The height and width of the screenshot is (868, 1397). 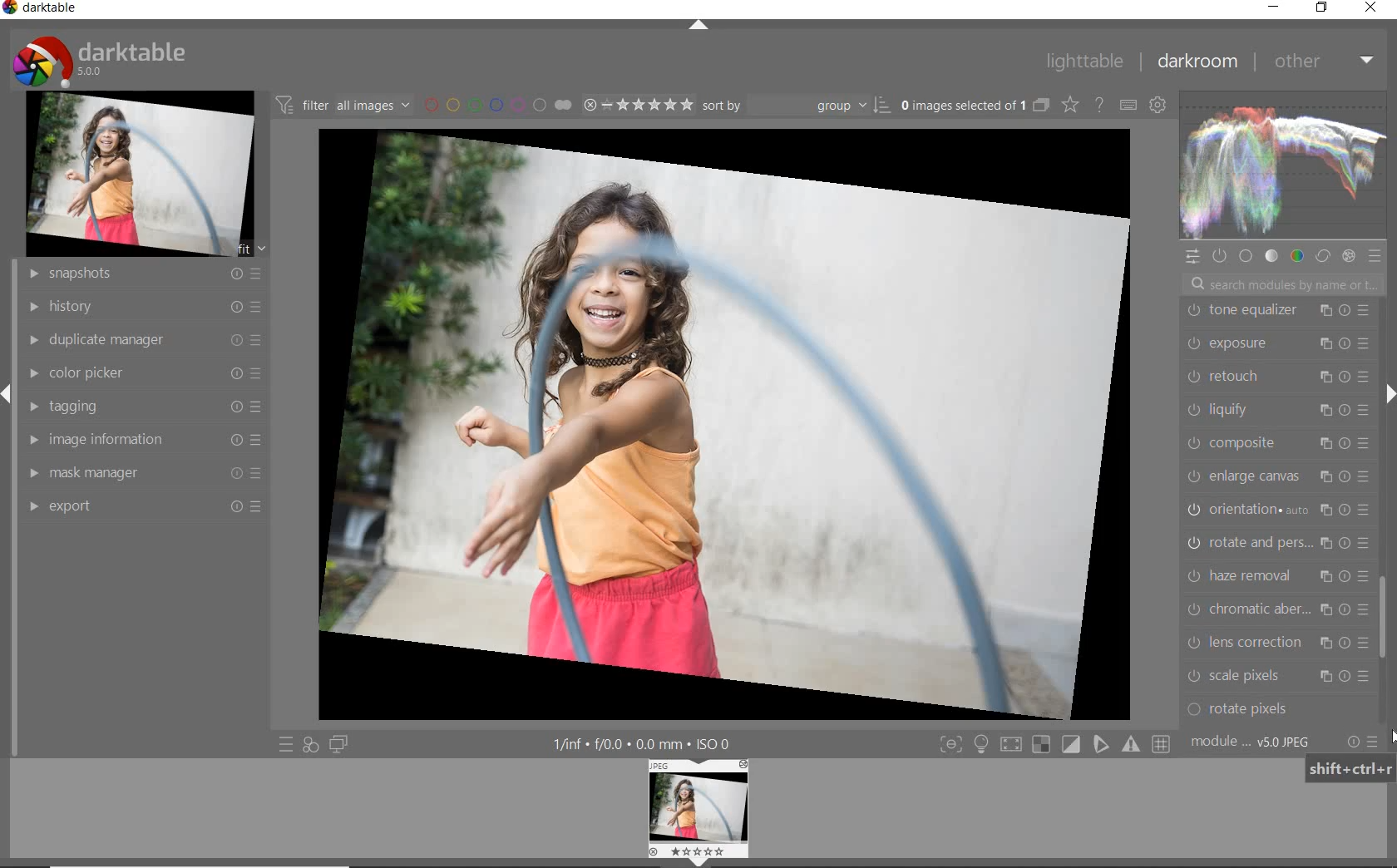 I want to click on change type of overlay, so click(x=1072, y=106).